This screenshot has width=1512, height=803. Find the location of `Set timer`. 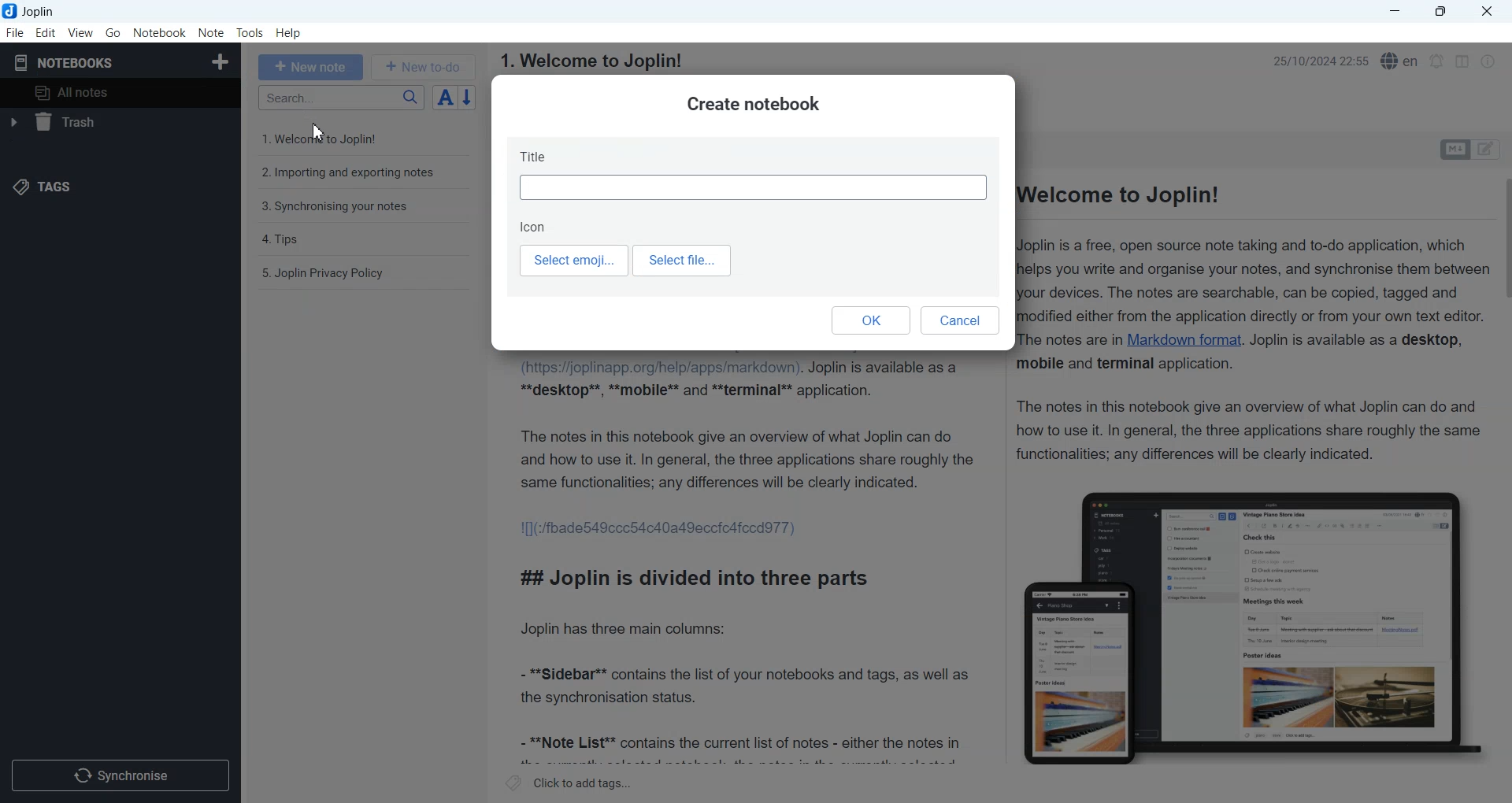

Set timer is located at coordinates (1437, 61).